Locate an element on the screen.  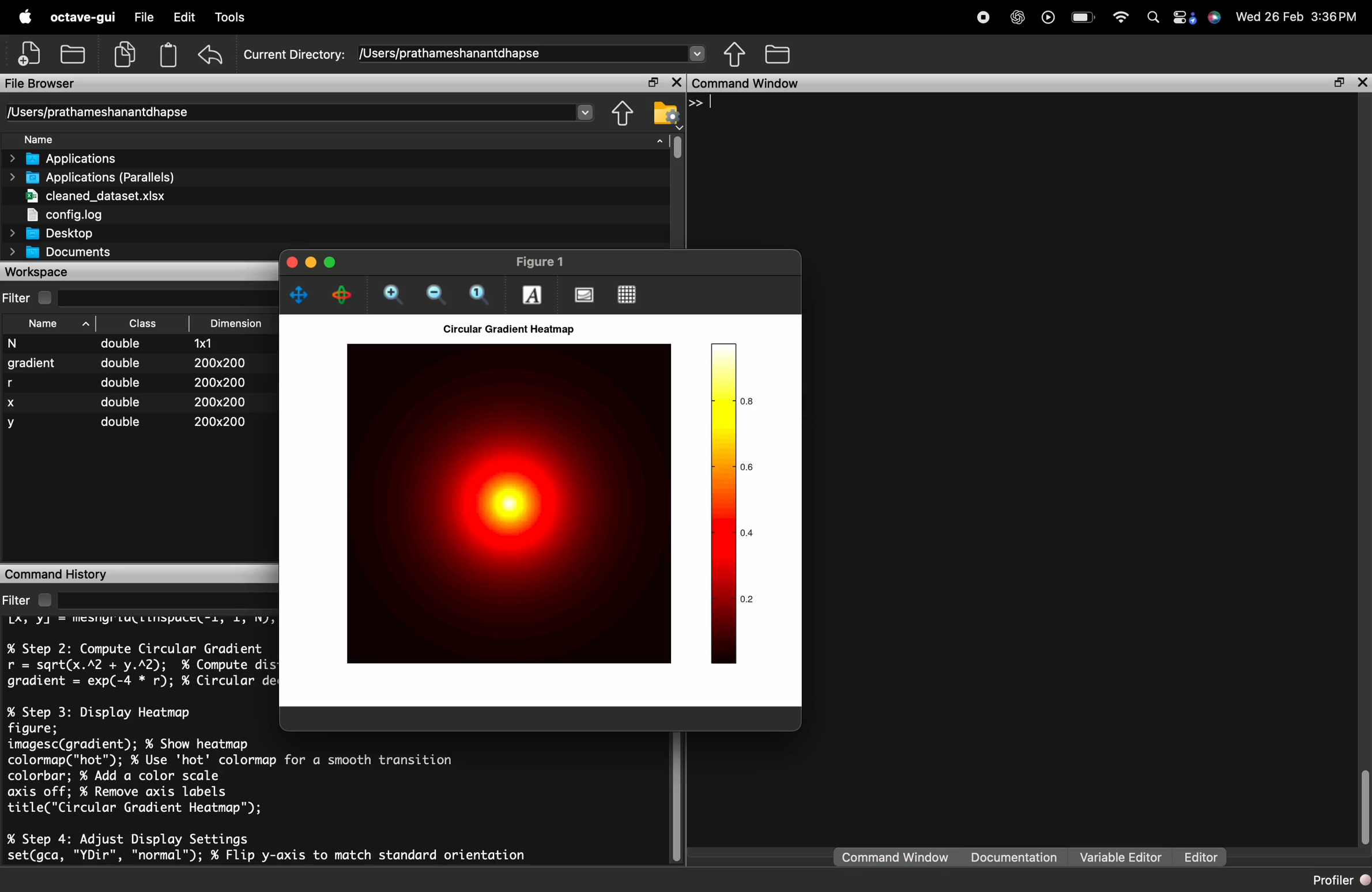
maximize is located at coordinates (1337, 82).